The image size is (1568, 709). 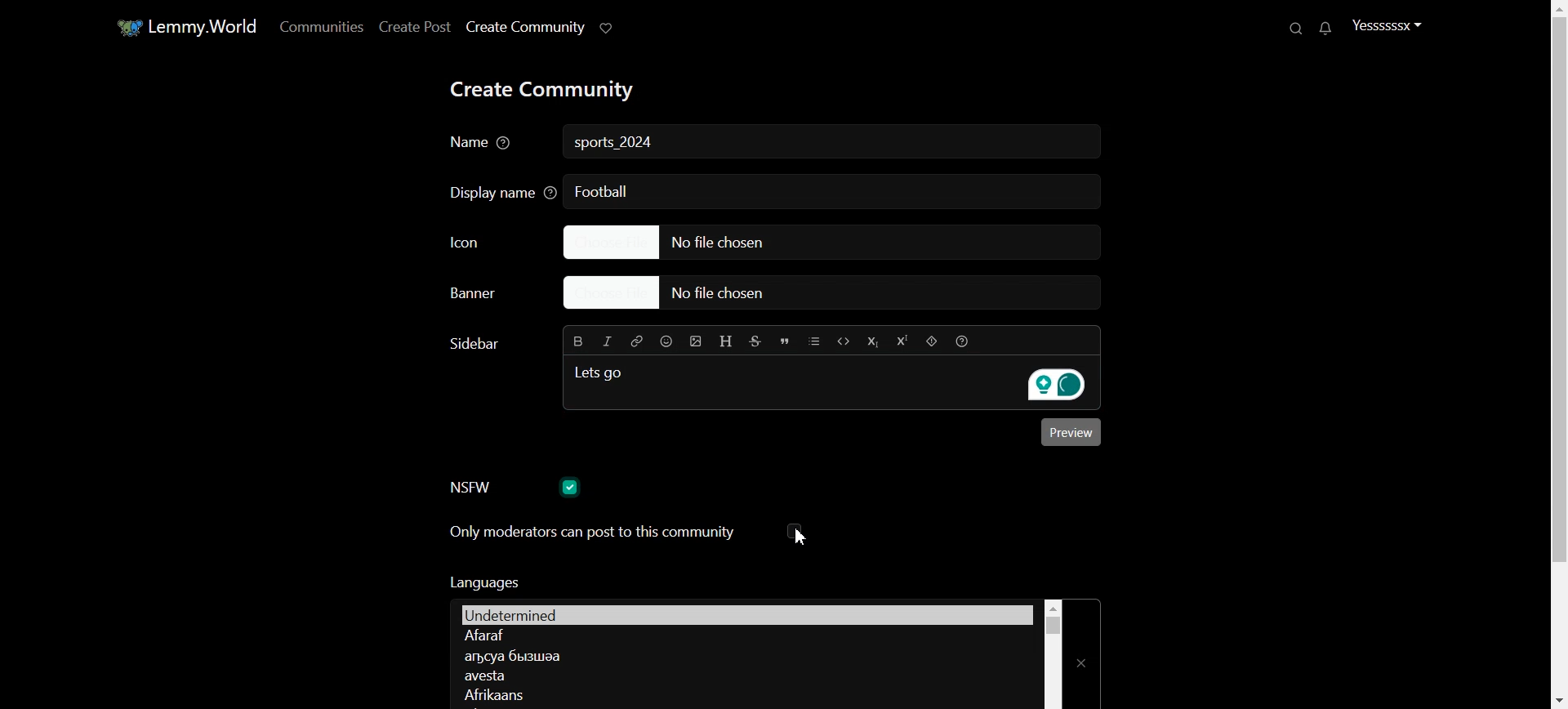 I want to click on Name, so click(x=483, y=144).